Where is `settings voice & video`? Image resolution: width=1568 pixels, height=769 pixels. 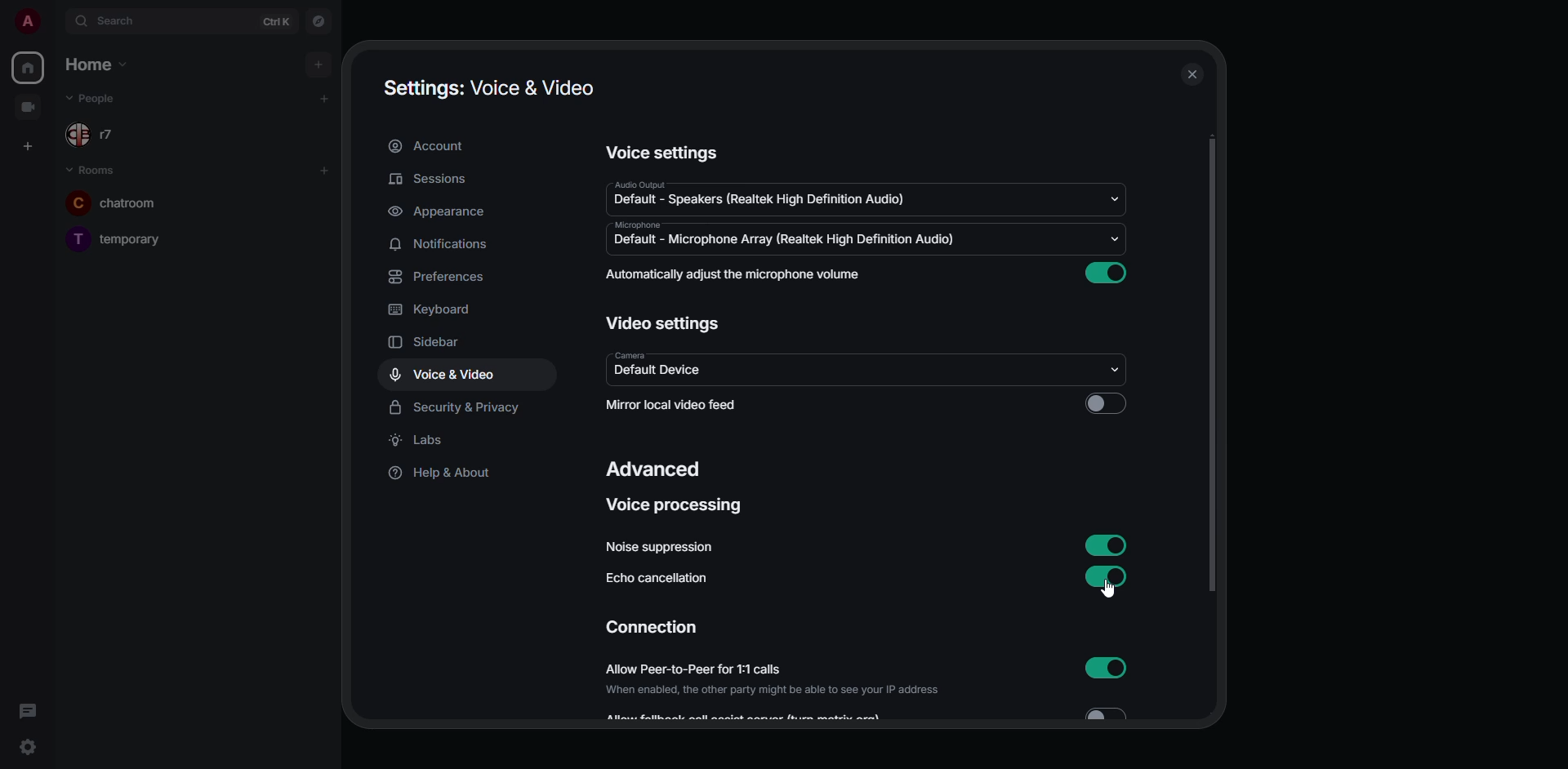
settings voice & video is located at coordinates (487, 87).